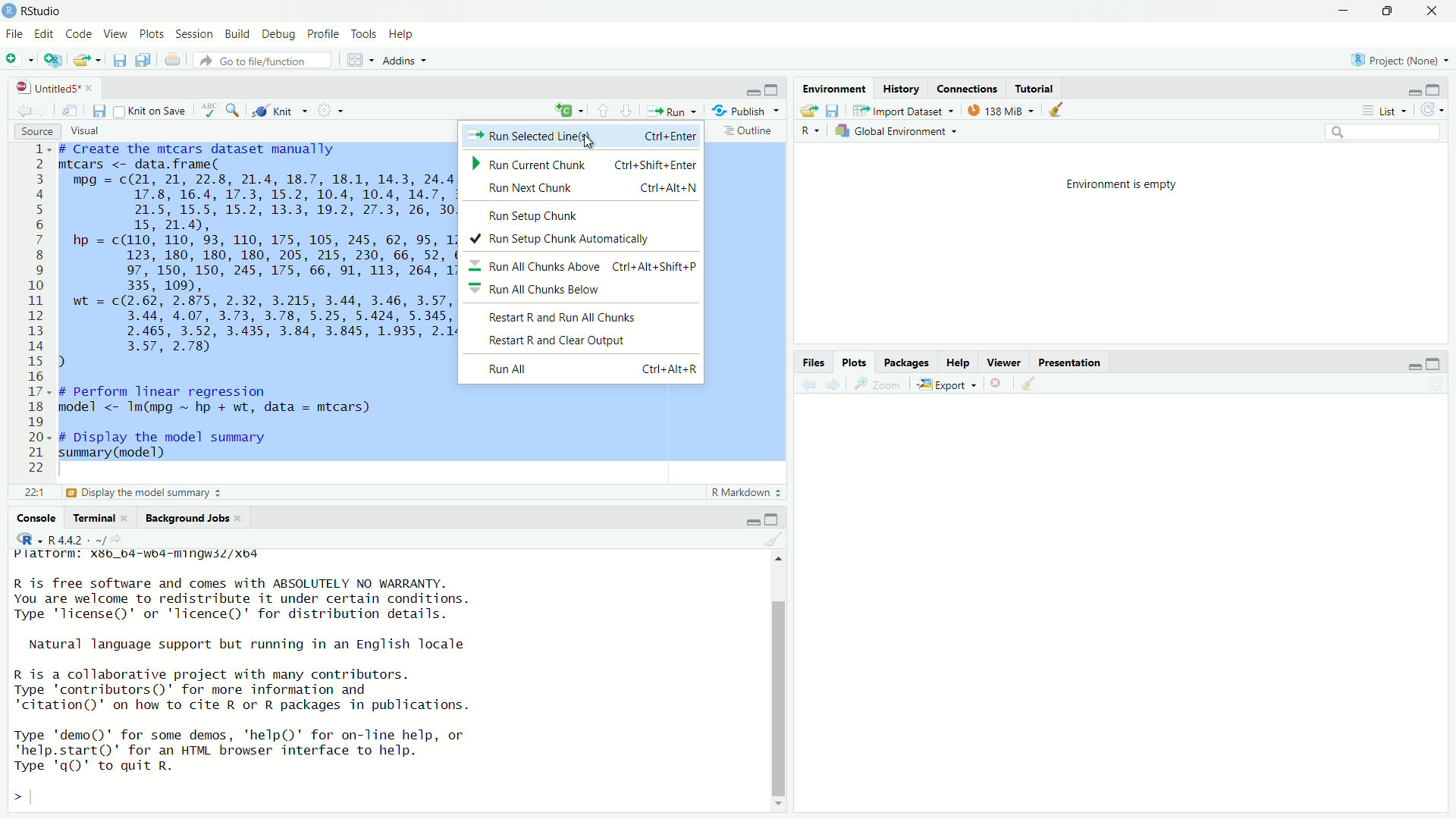  What do you see at coordinates (780, 699) in the screenshot?
I see `scroll bar` at bounding box center [780, 699].